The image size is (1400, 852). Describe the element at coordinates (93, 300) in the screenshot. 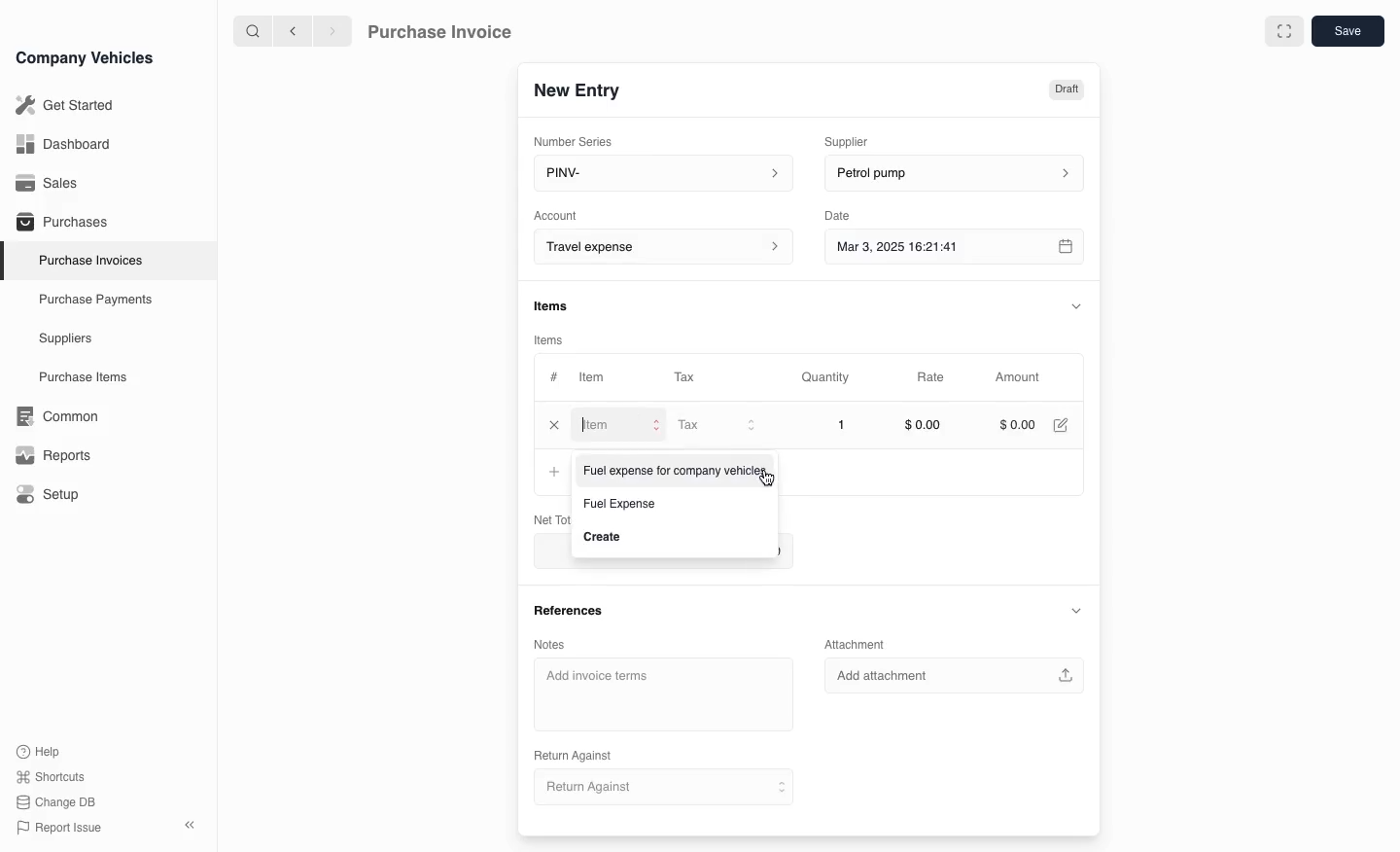

I see `Purchase Payments` at that location.